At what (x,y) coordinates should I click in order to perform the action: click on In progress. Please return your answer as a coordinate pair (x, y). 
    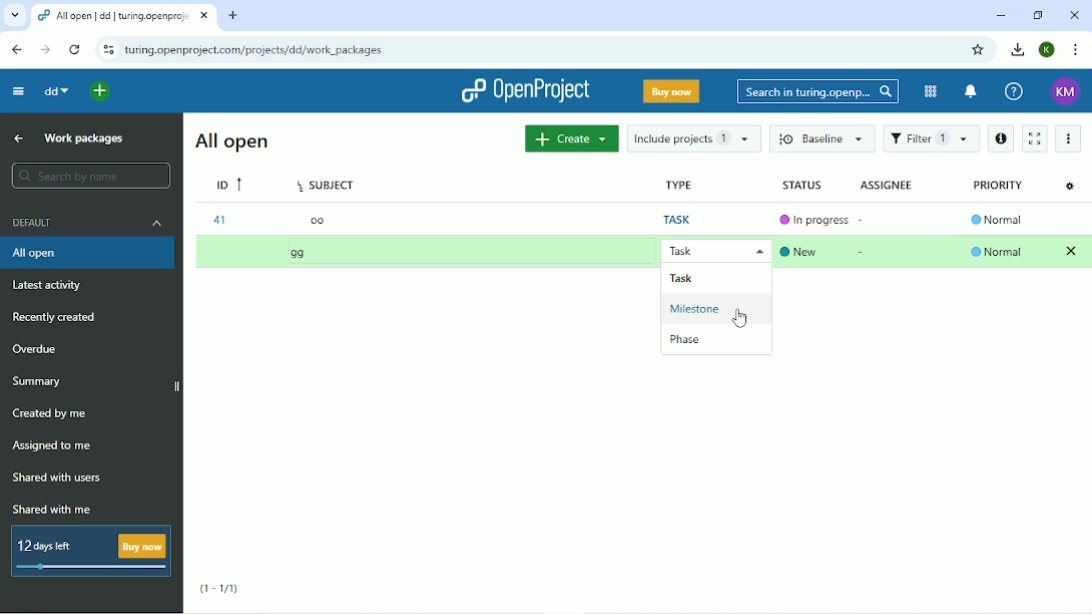
    Looking at the image, I should click on (810, 220).